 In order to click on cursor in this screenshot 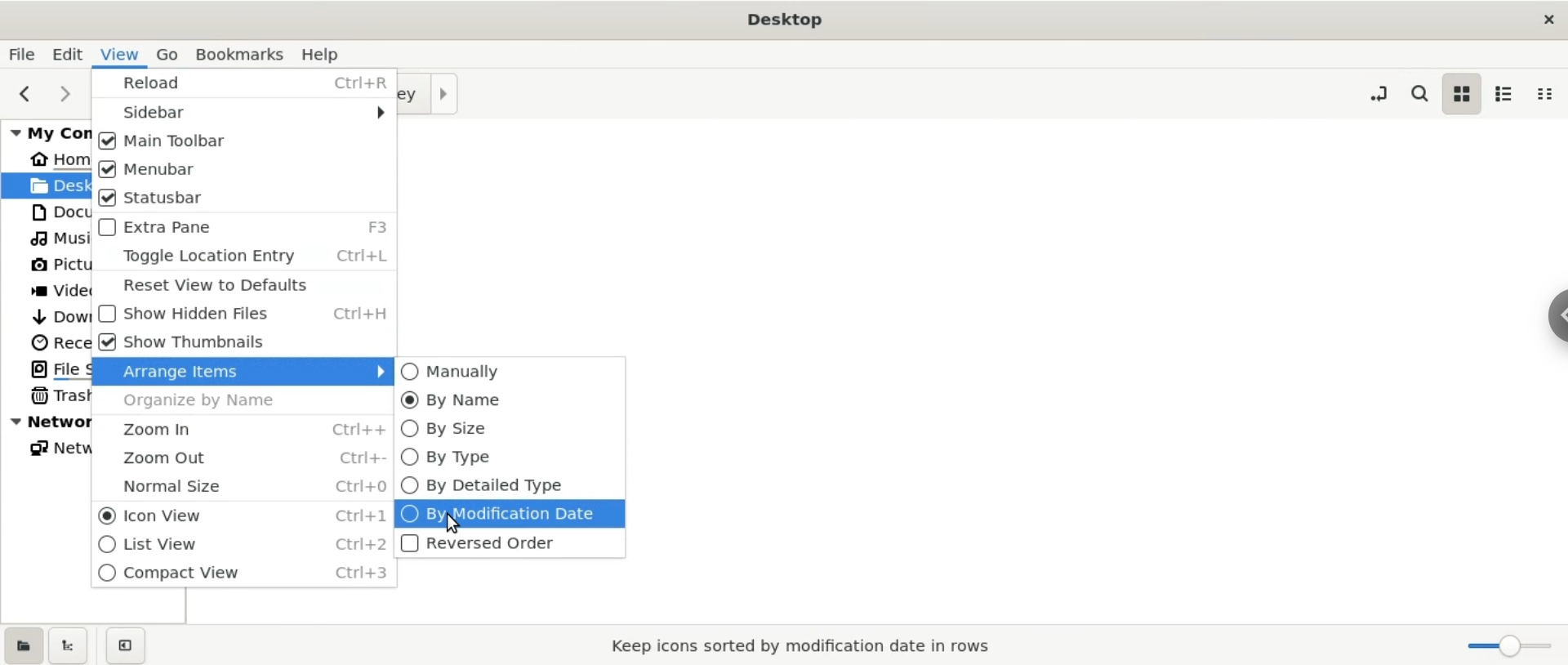, I will do `click(457, 521)`.